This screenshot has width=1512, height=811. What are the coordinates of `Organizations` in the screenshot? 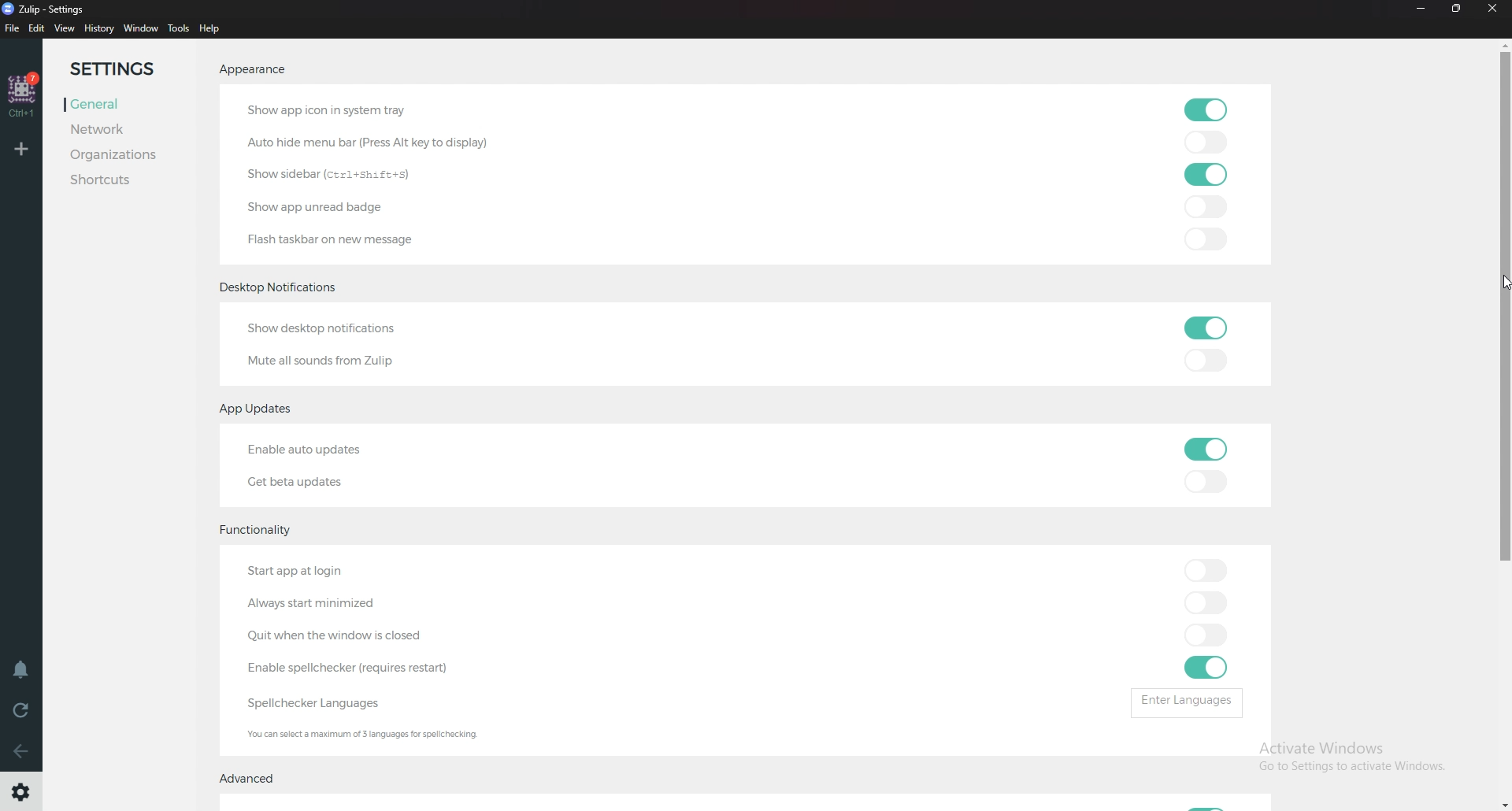 It's located at (117, 155).